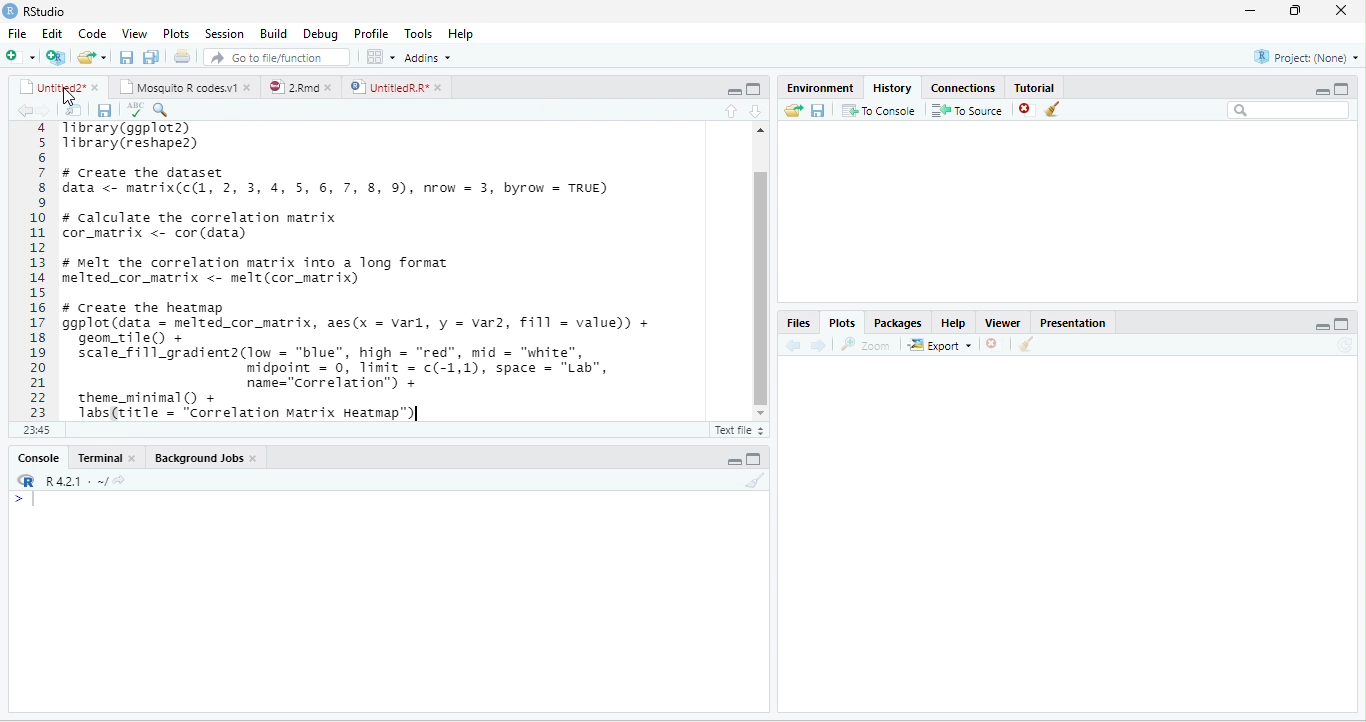 Image resolution: width=1366 pixels, height=722 pixels. I want to click on to source, so click(965, 111).